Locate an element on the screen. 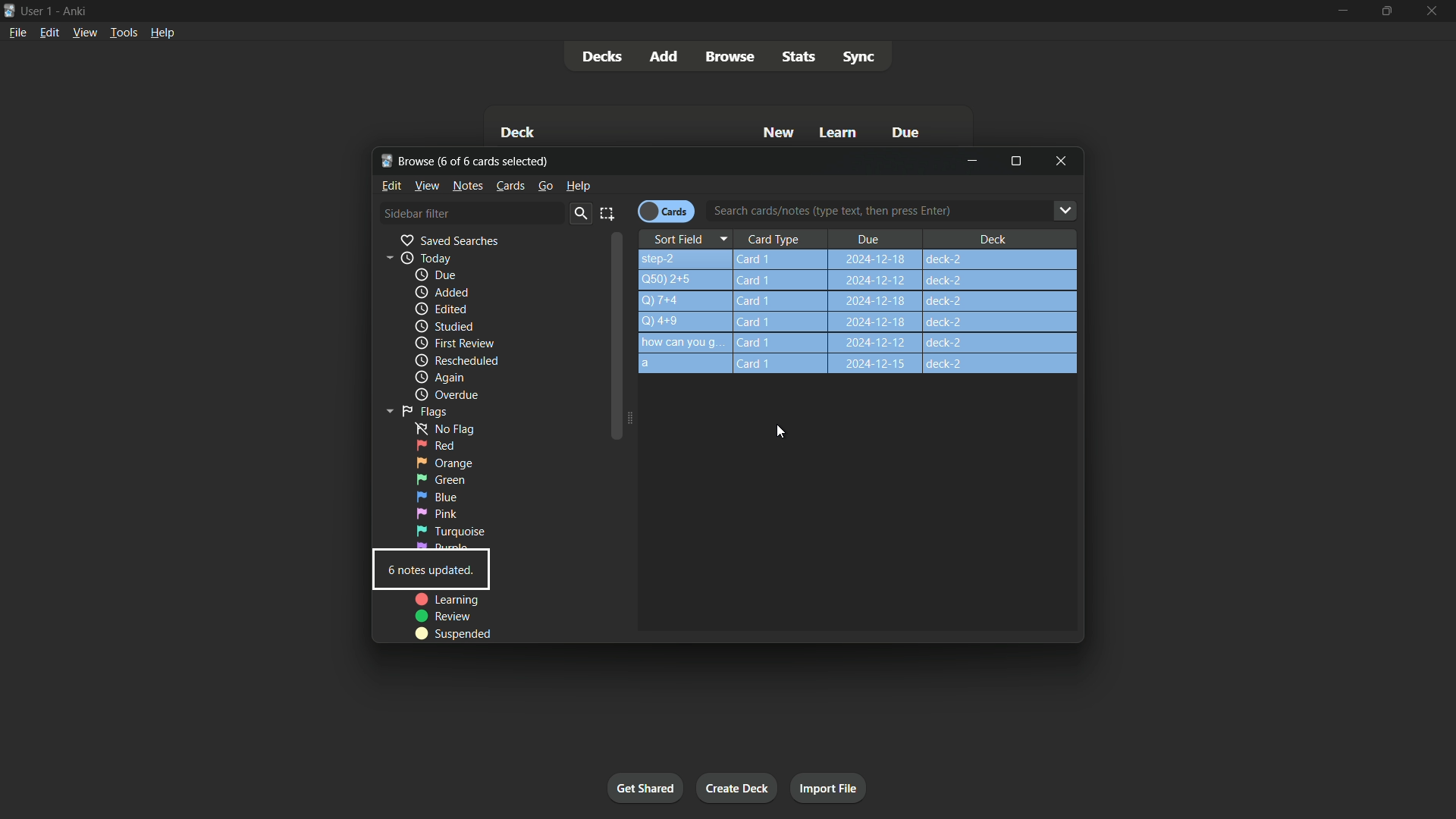  Sort Field is located at coordinates (689, 237).